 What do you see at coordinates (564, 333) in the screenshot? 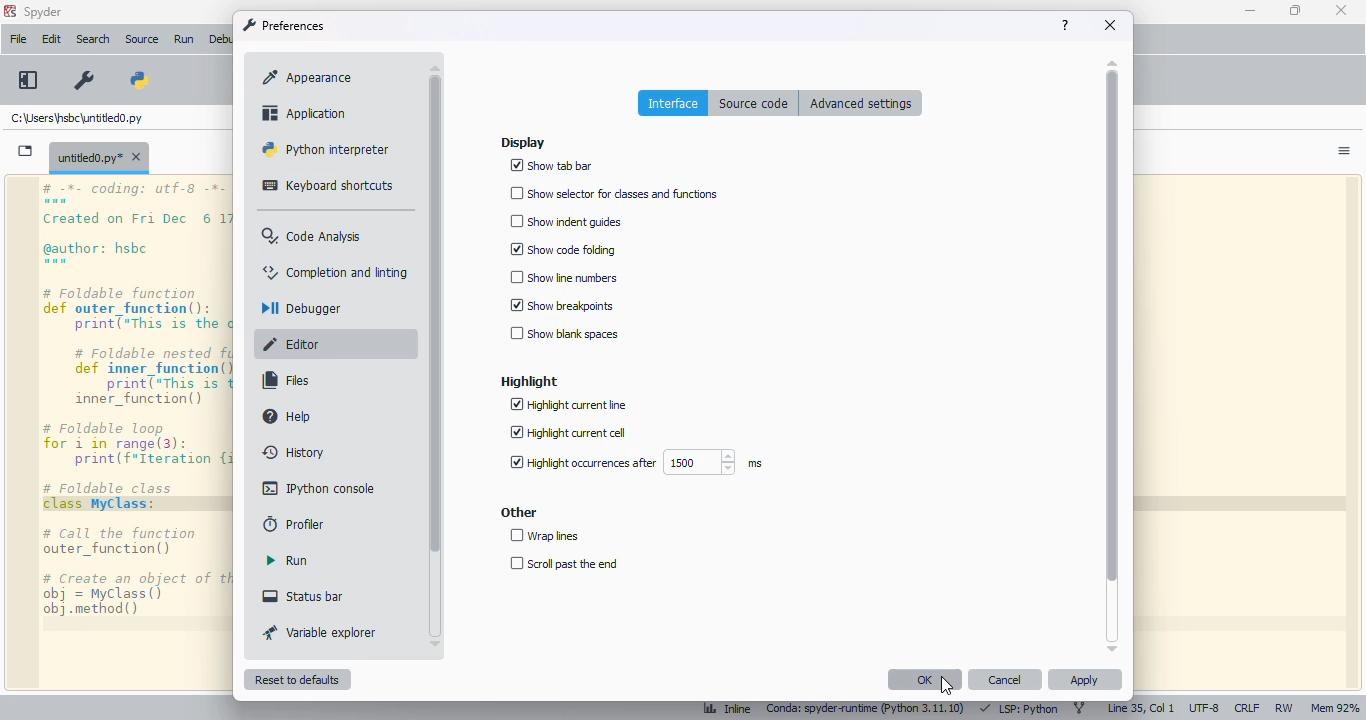
I see `show blank spaces` at bounding box center [564, 333].